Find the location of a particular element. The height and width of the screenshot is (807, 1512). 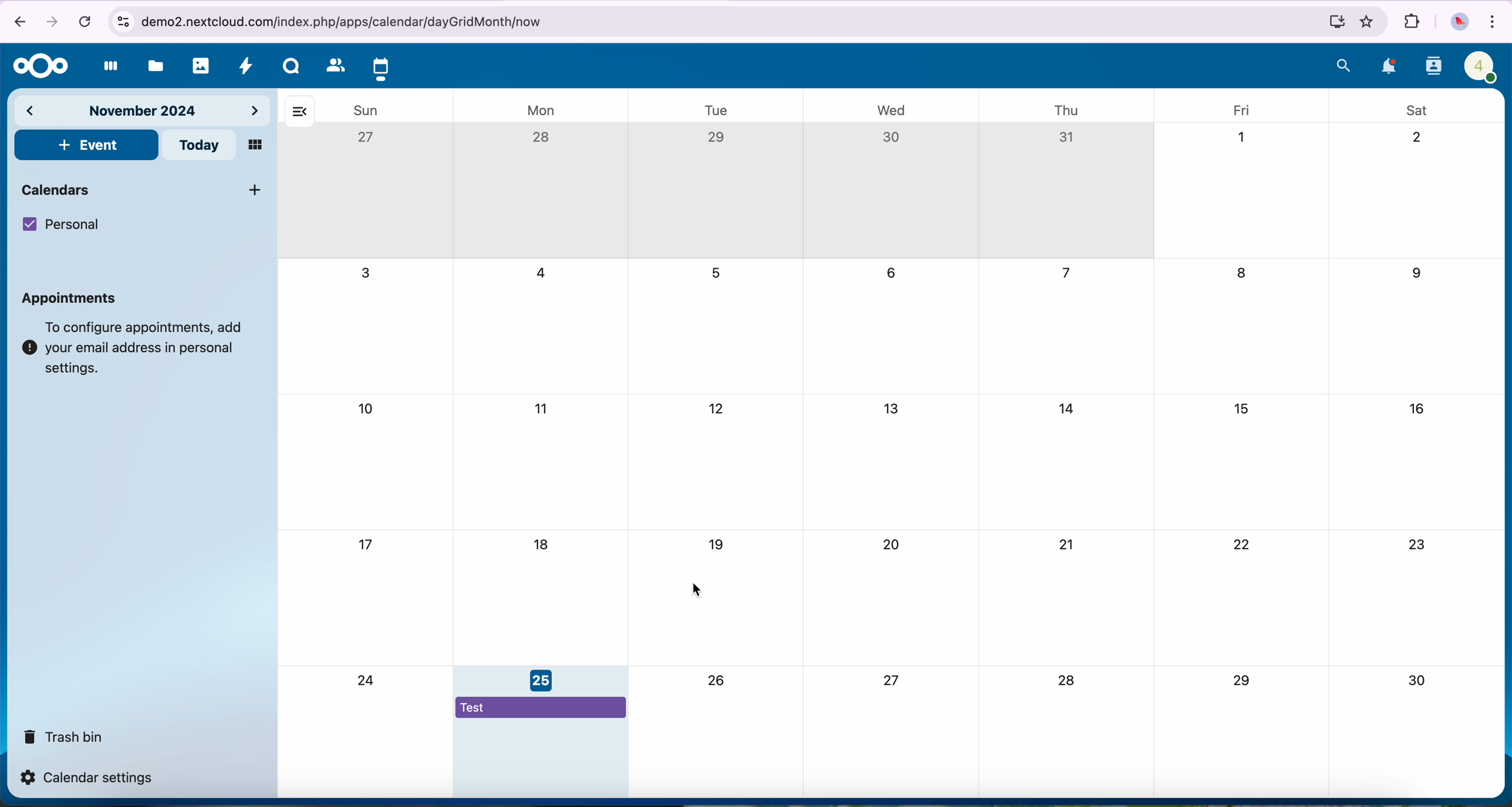

note is located at coordinates (135, 348).